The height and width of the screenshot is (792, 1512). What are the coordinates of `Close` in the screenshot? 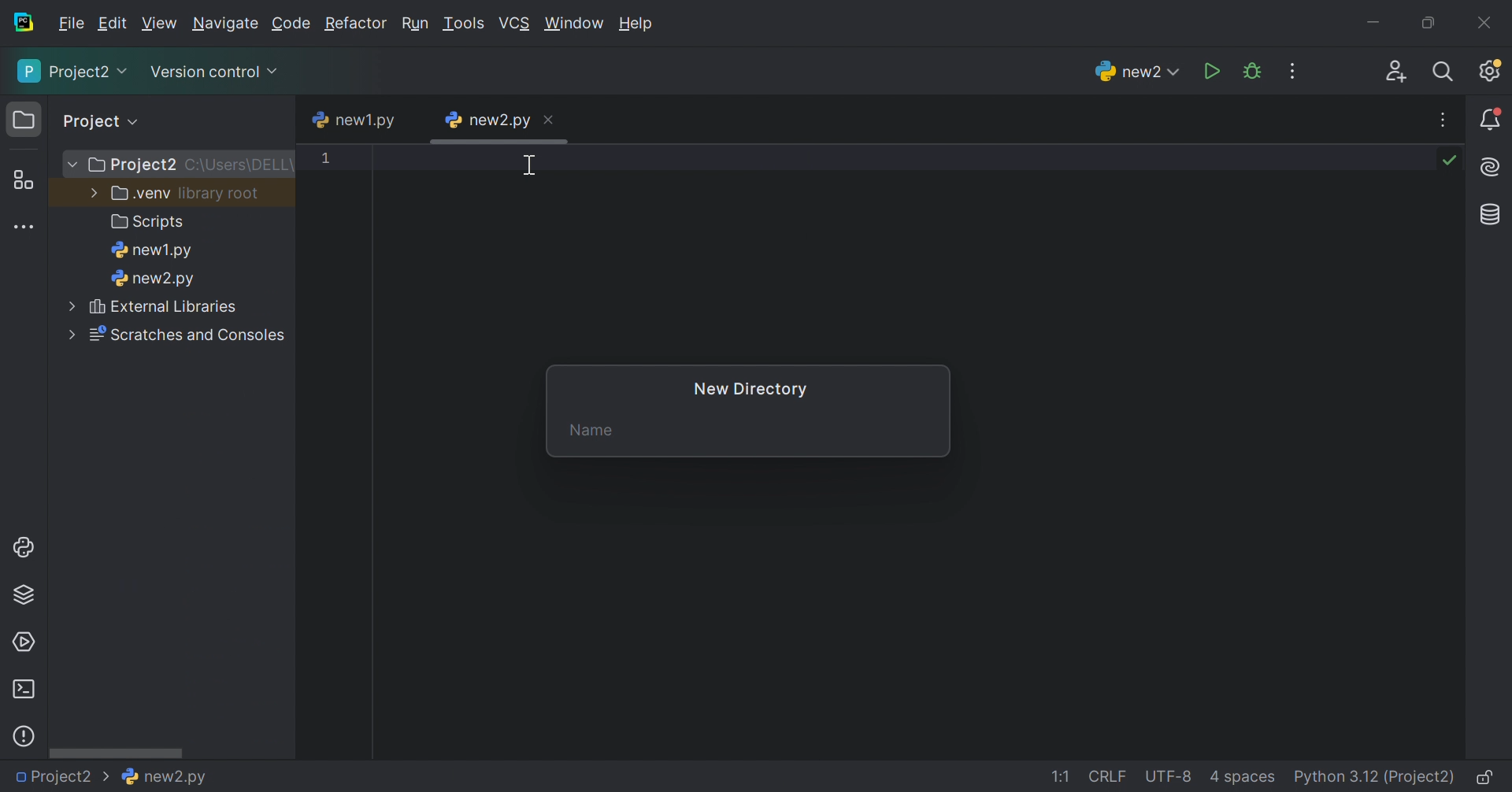 It's located at (550, 121).